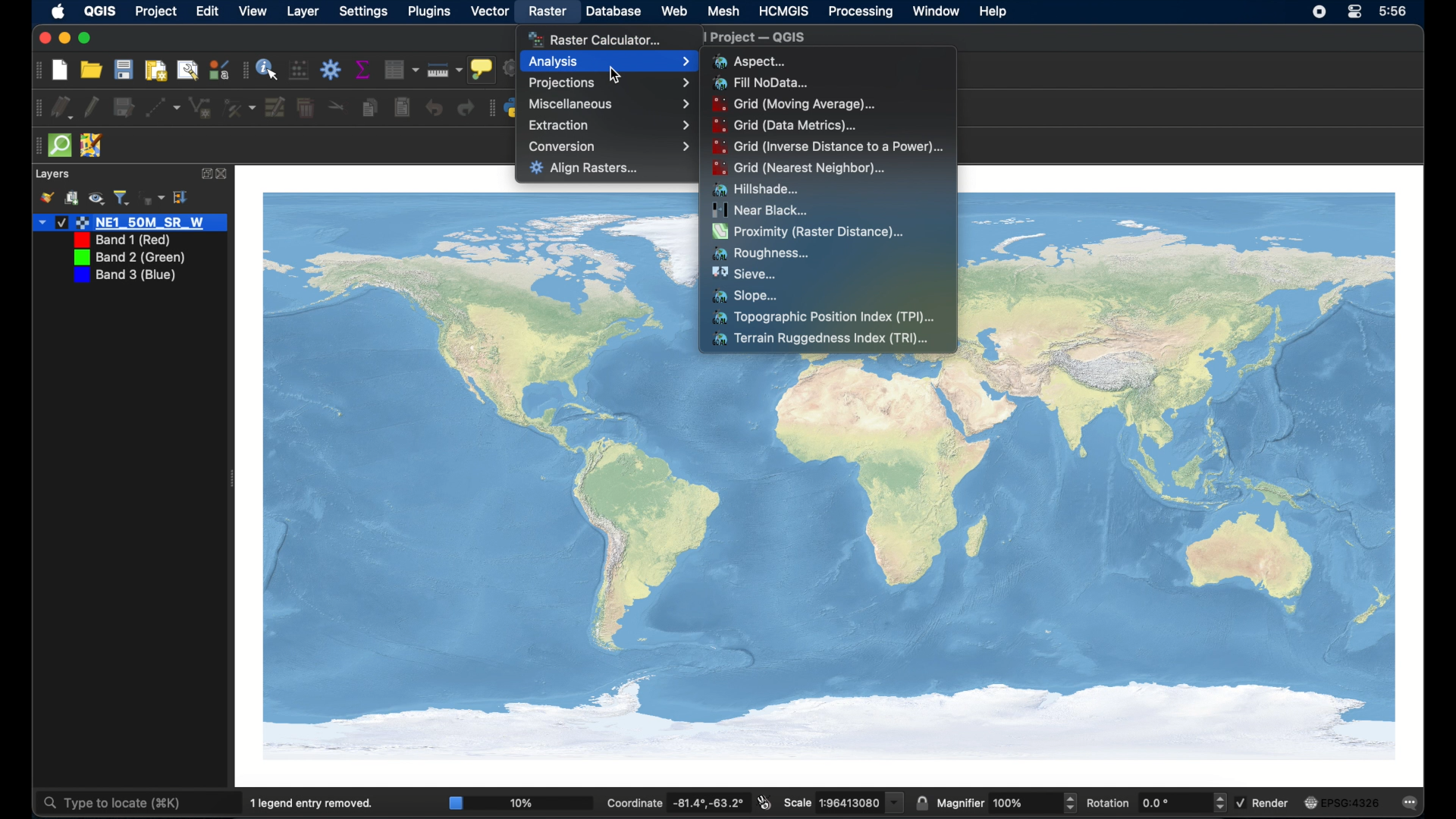 The height and width of the screenshot is (819, 1456). Describe the element at coordinates (218, 69) in the screenshot. I see `style manager` at that location.